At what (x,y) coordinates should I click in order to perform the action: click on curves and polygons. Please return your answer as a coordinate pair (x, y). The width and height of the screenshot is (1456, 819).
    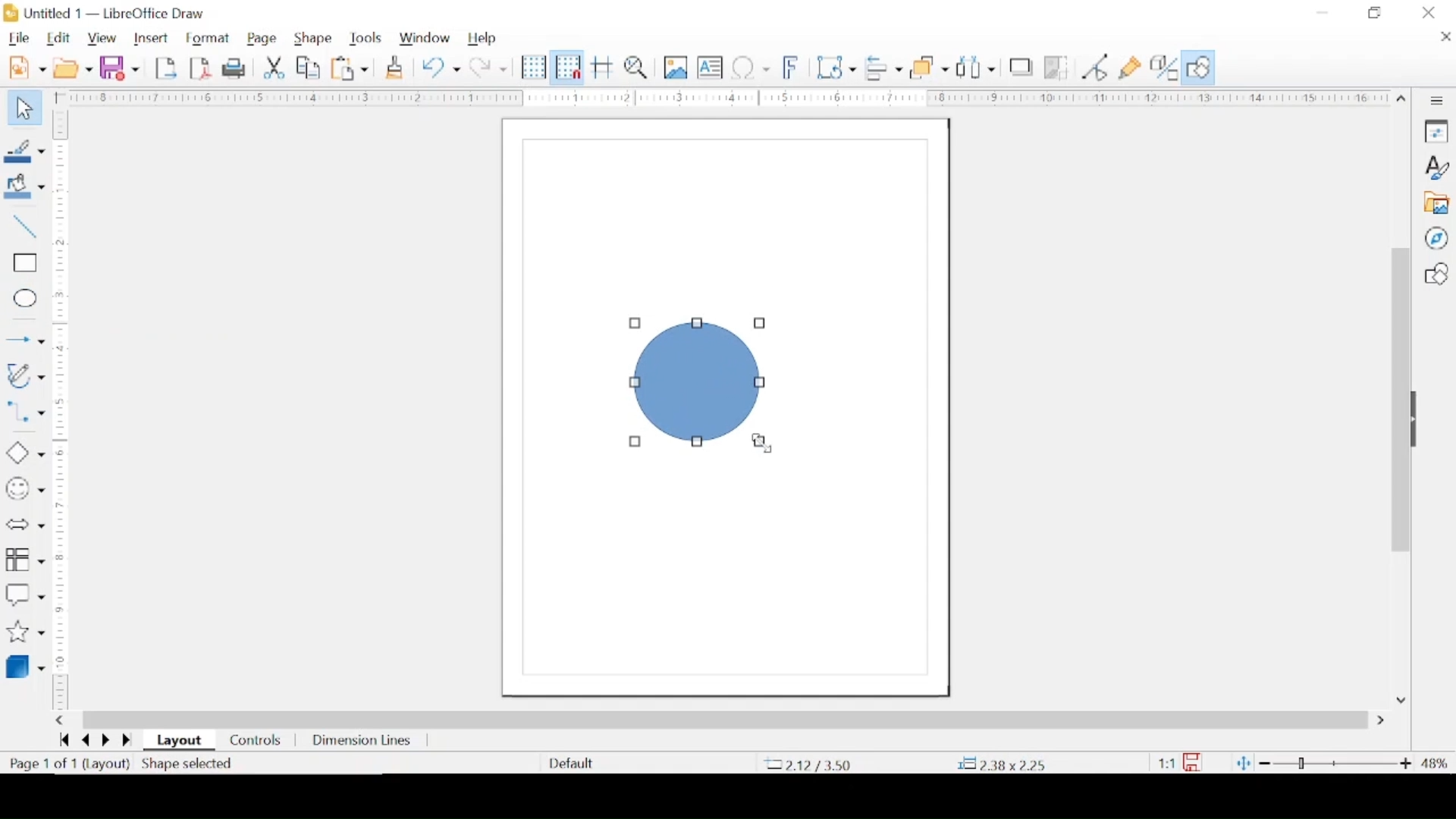
    Looking at the image, I should click on (25, 375).